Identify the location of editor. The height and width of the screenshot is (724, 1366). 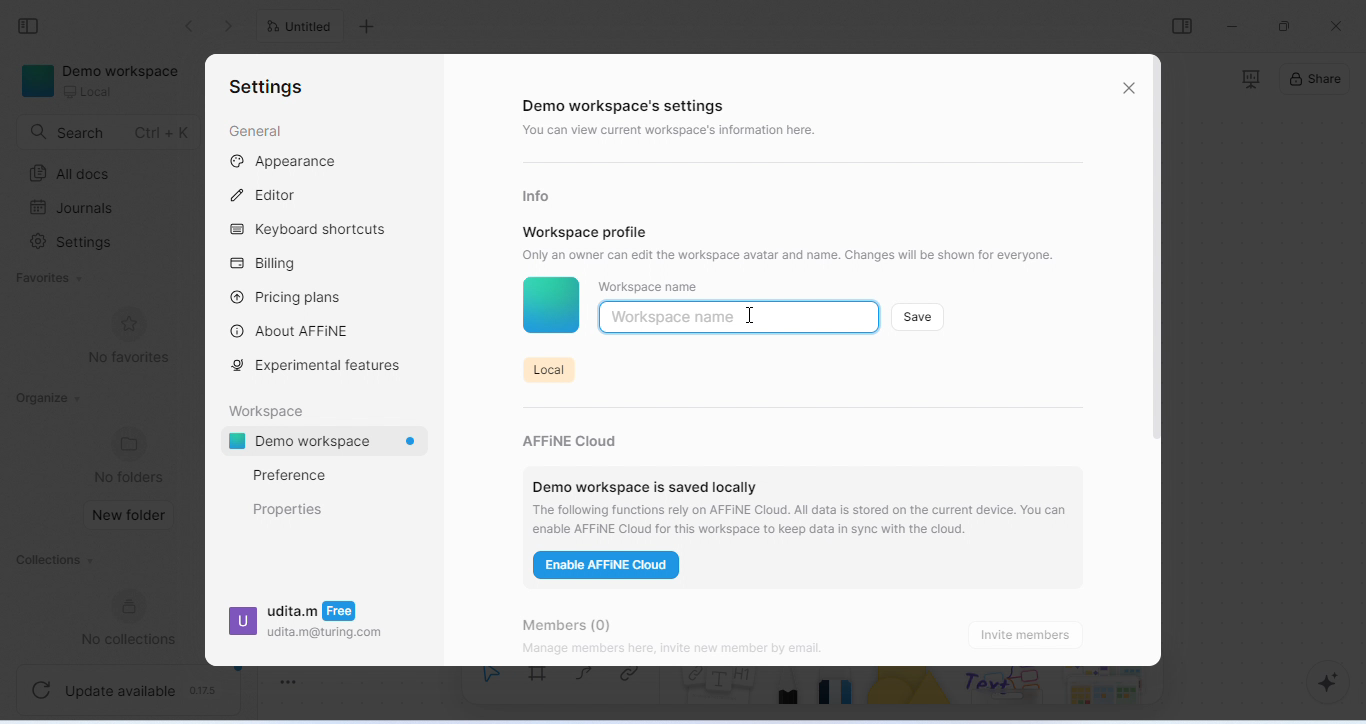
(268, 193).